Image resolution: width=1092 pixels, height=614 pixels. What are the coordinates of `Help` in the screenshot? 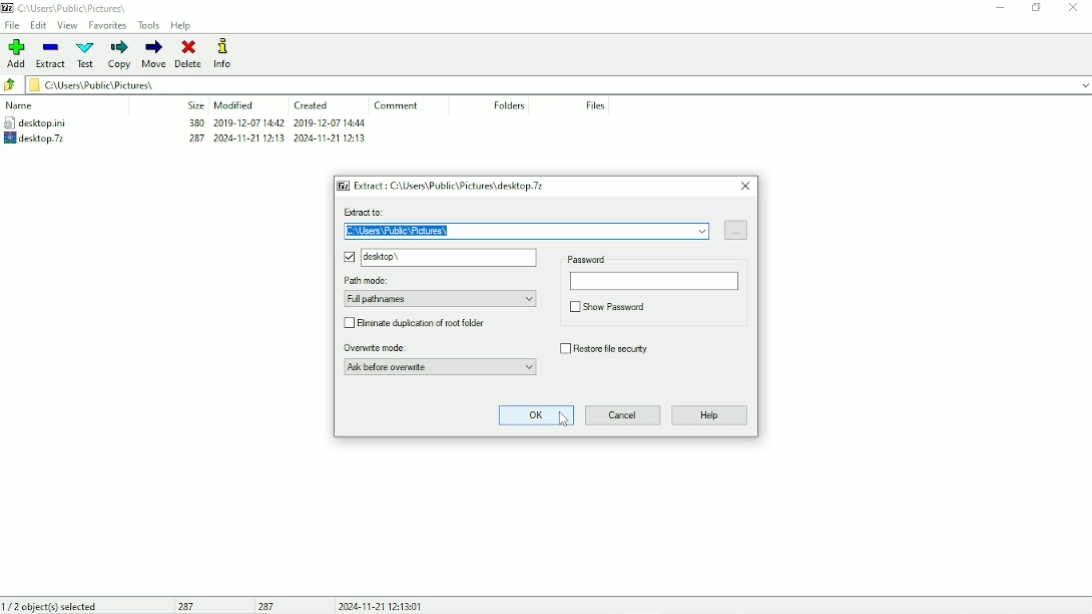 It's located at (181, 26).